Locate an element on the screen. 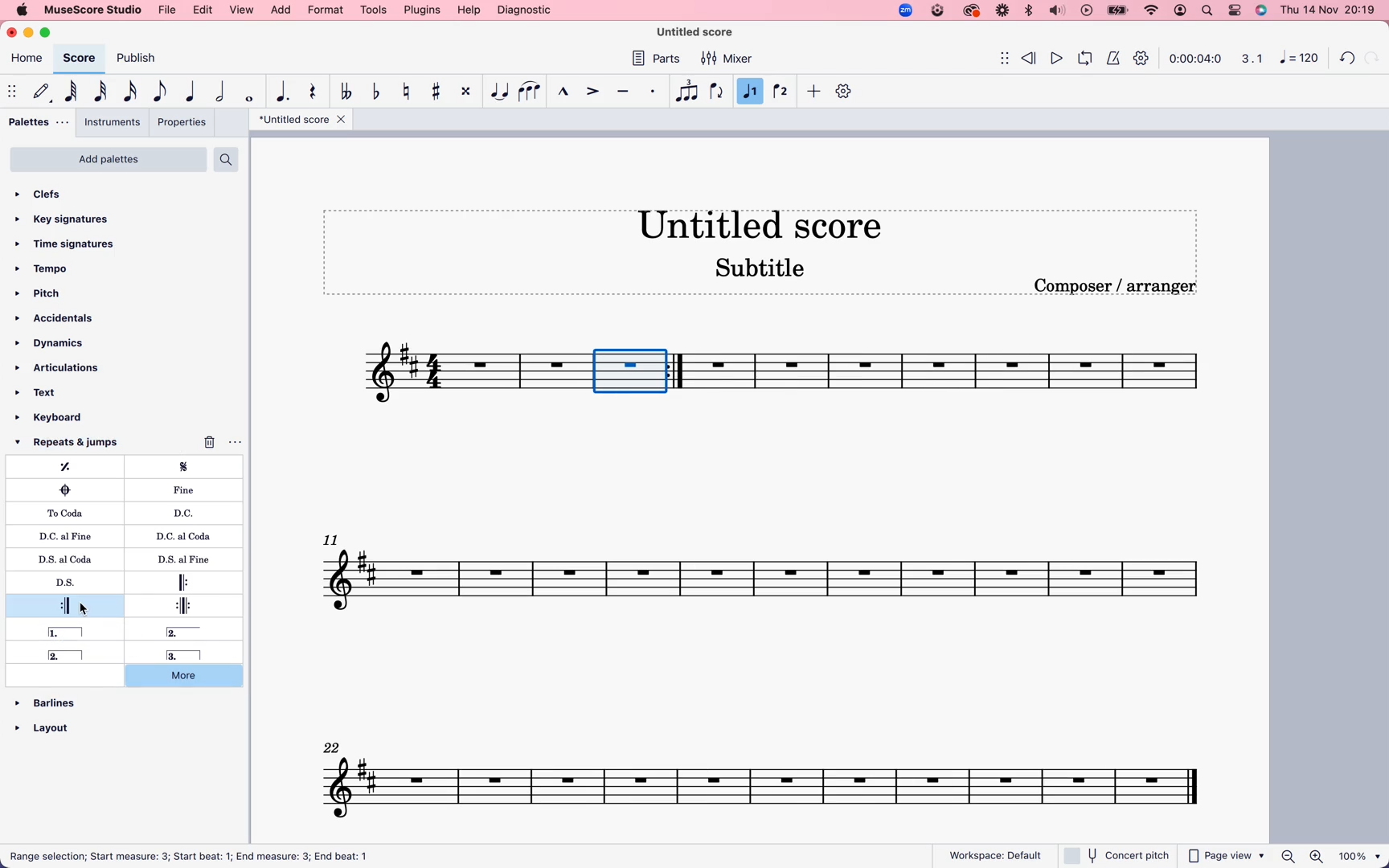 This screenshot has height=868, width=1389. maximize is located at coordinates (50, 33).